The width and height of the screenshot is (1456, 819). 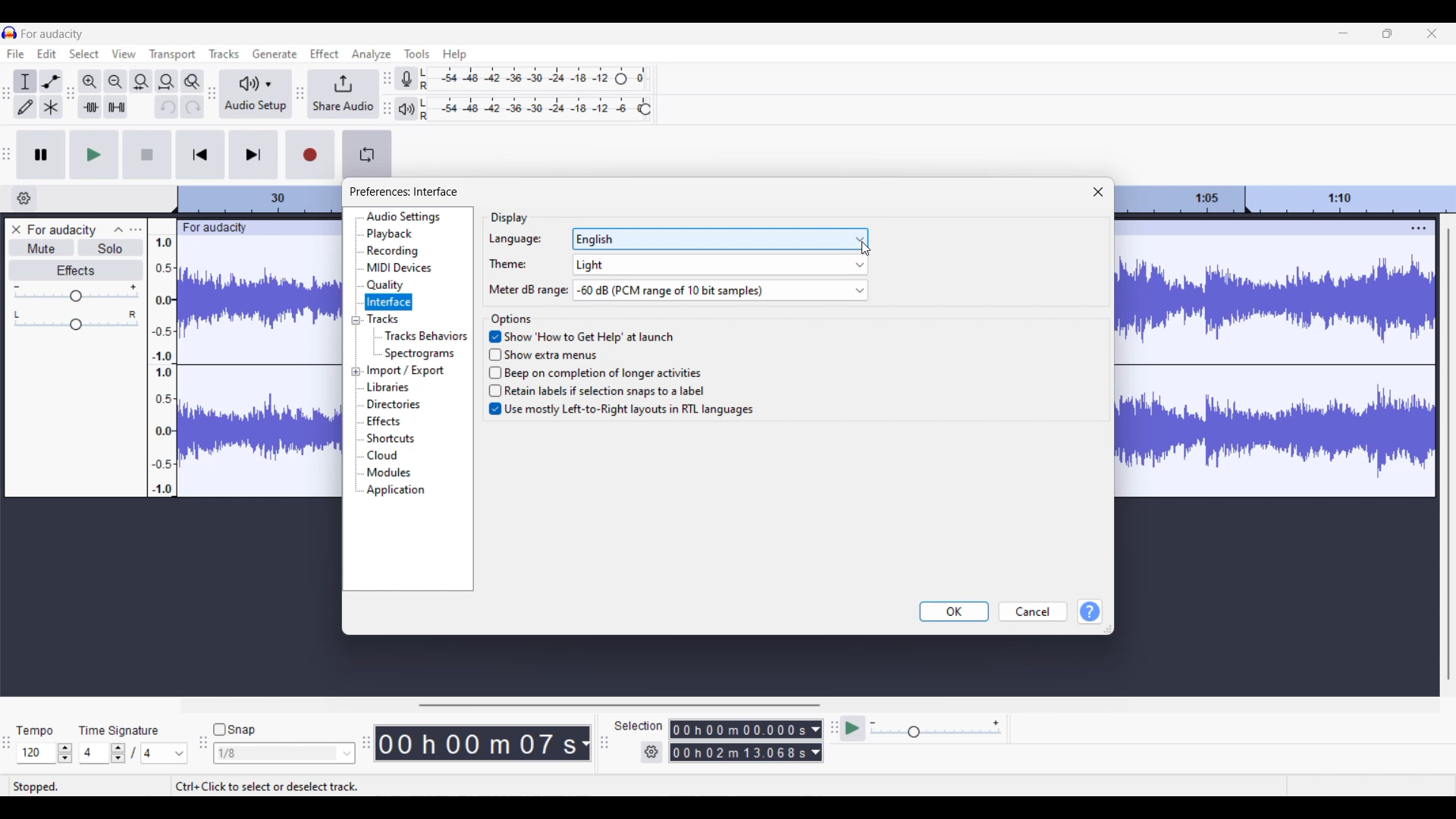 I want to click on Playback, so click(x=391, y=234).